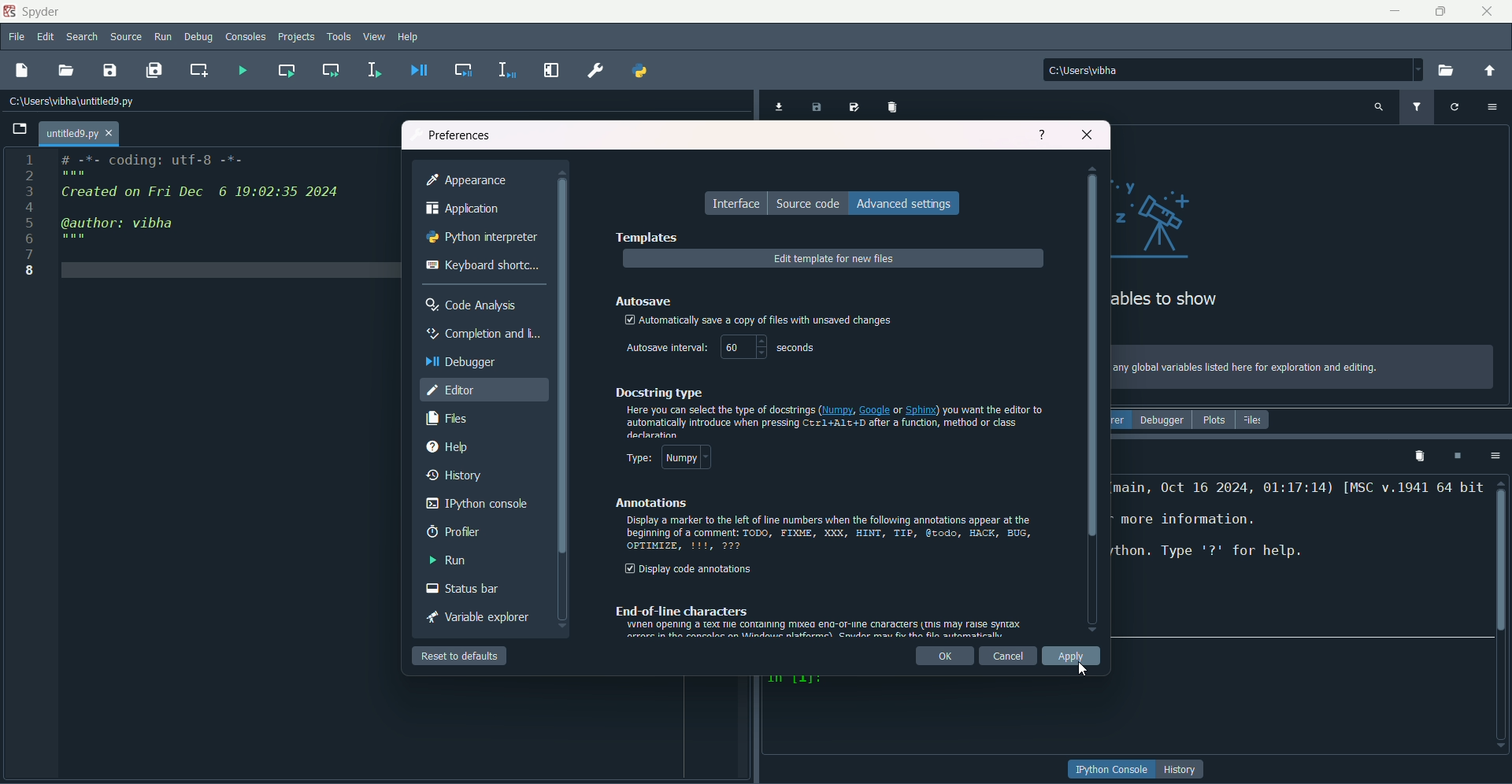 This screenshot has height=784, width=1512. I want to click on autosave, so click(647, 300).